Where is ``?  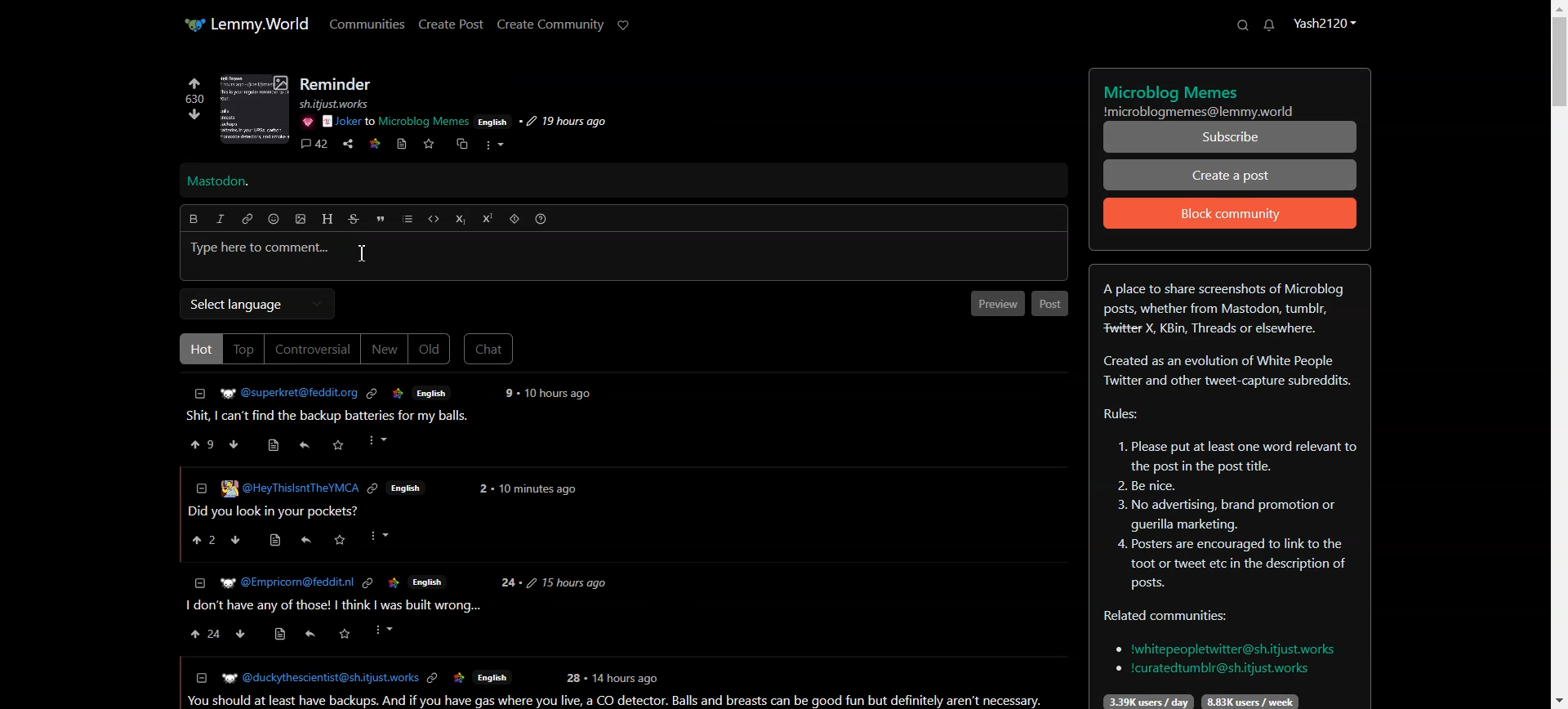
 is located at coordinates (459, 679).